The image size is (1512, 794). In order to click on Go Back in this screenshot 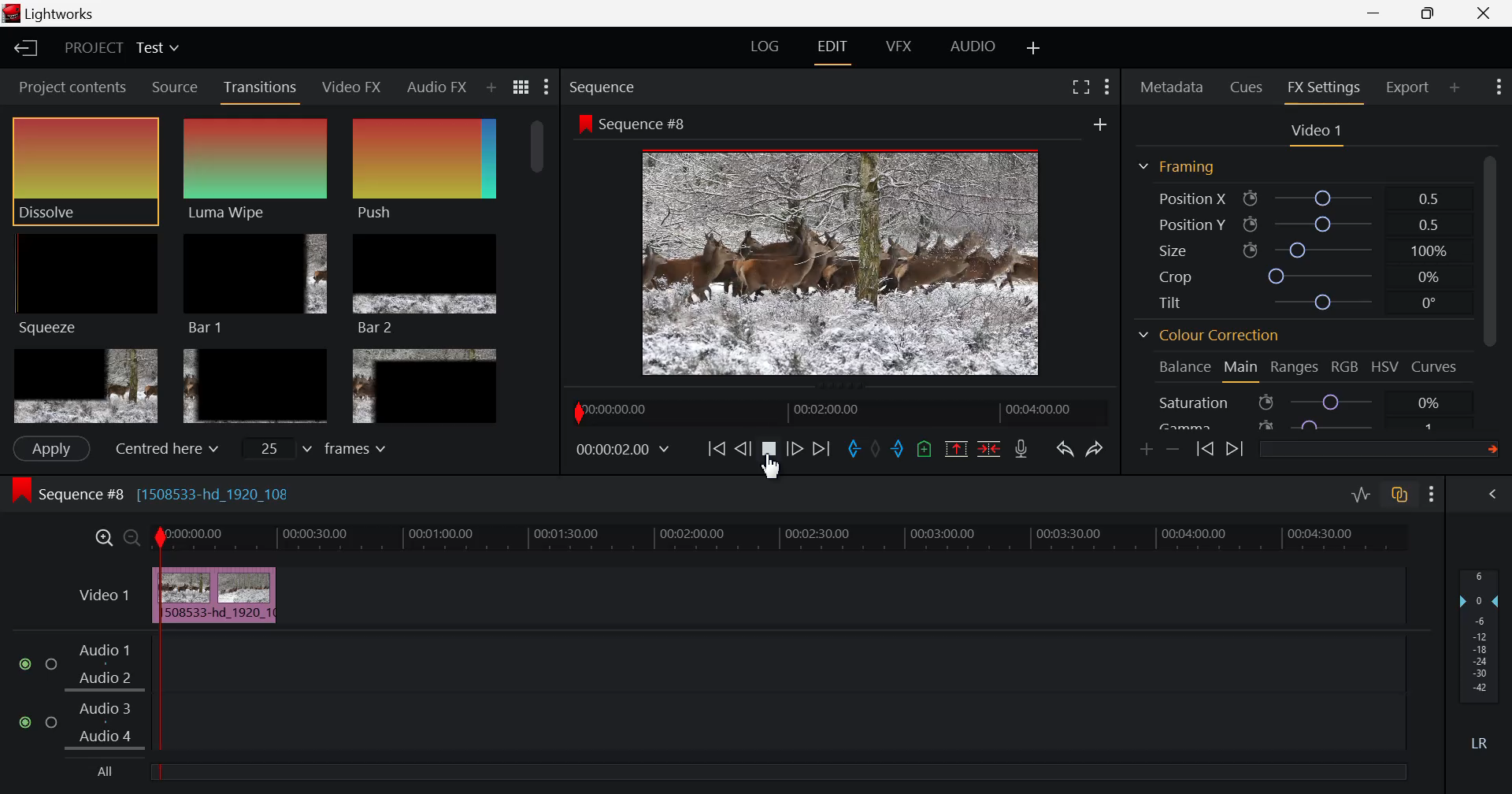, I will do `click(743, 448)`.